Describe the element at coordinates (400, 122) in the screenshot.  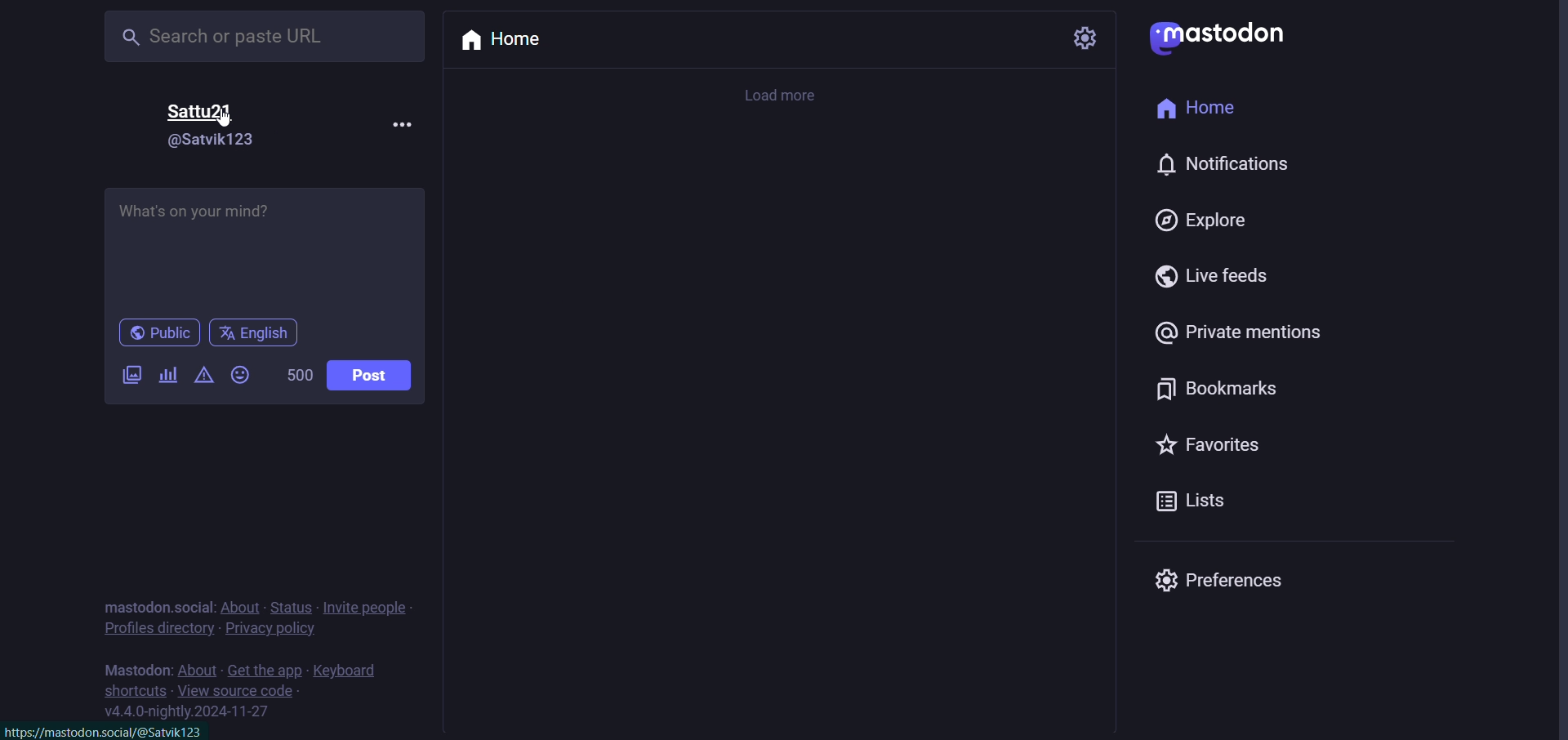
I see `more` at that location.